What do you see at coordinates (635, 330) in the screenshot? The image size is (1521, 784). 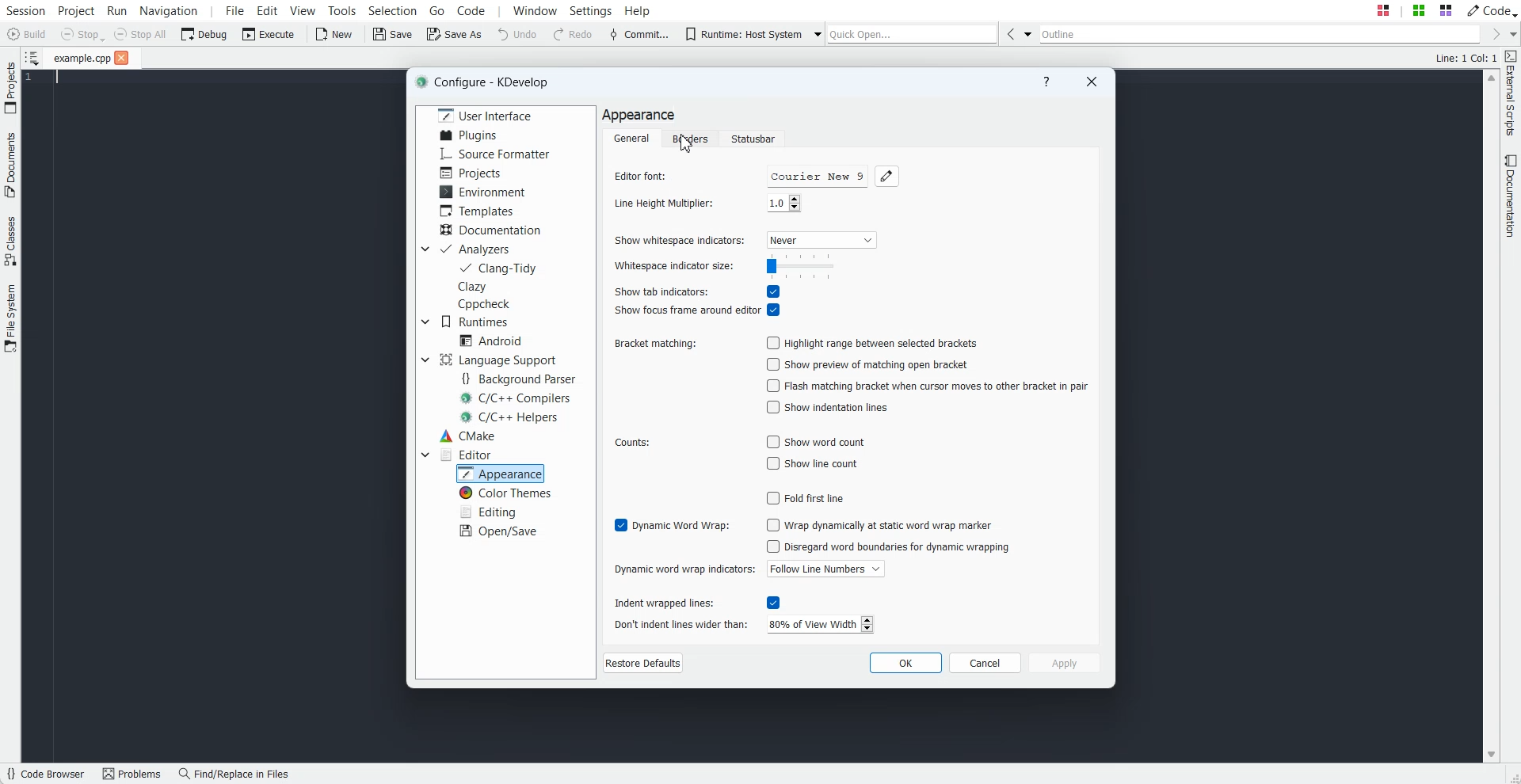 I see `Text` at bounding box center [635, 330].